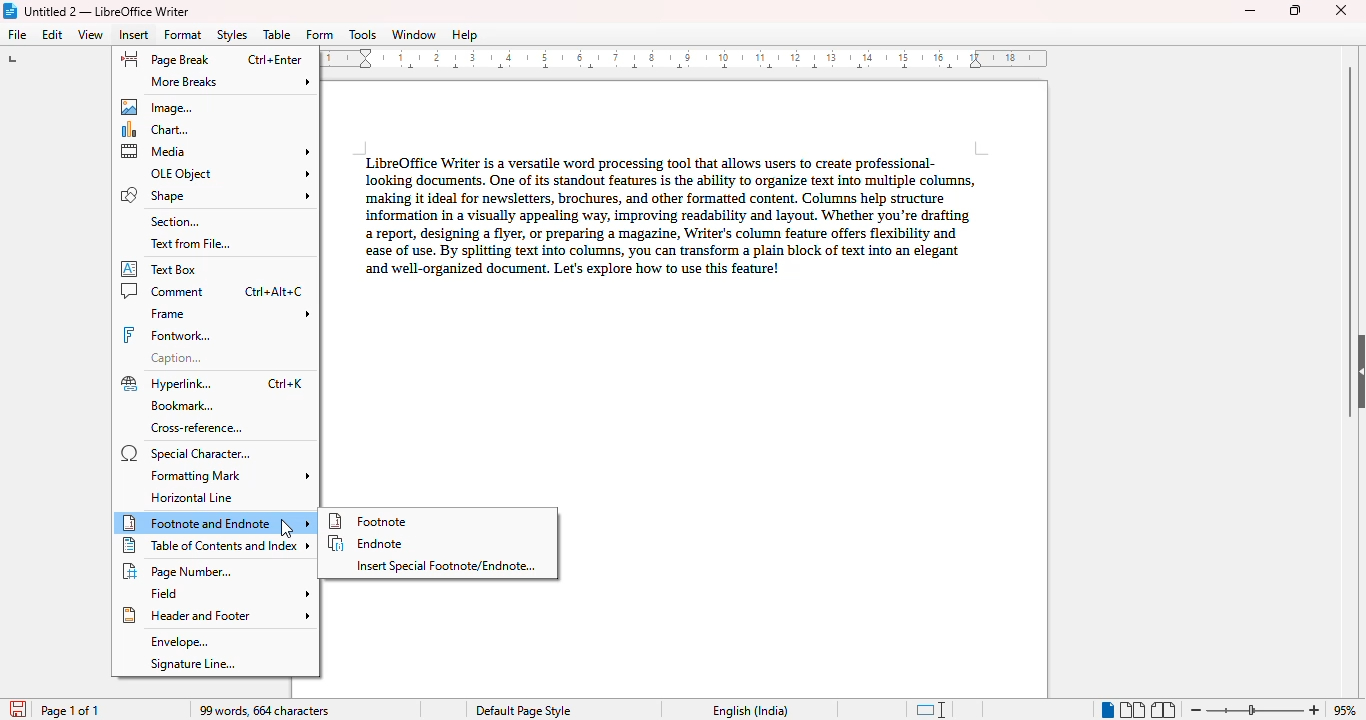 This screenshot has height=720, width=1366. Describe the element at coordinates (231, 476) in the screenshot. I see `formatting mark` at that location.